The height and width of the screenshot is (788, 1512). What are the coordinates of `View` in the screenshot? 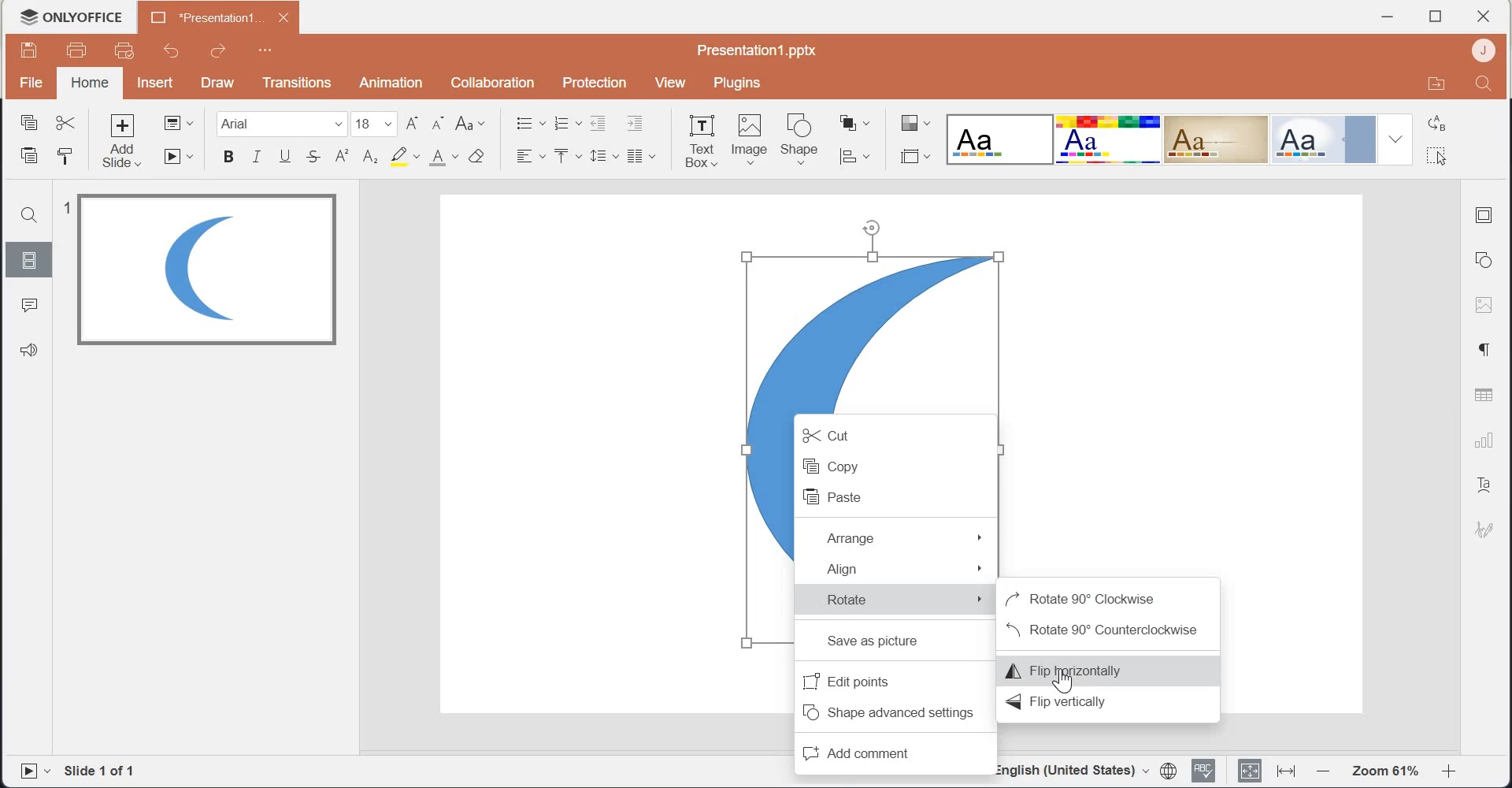 It's located at (671, 84).